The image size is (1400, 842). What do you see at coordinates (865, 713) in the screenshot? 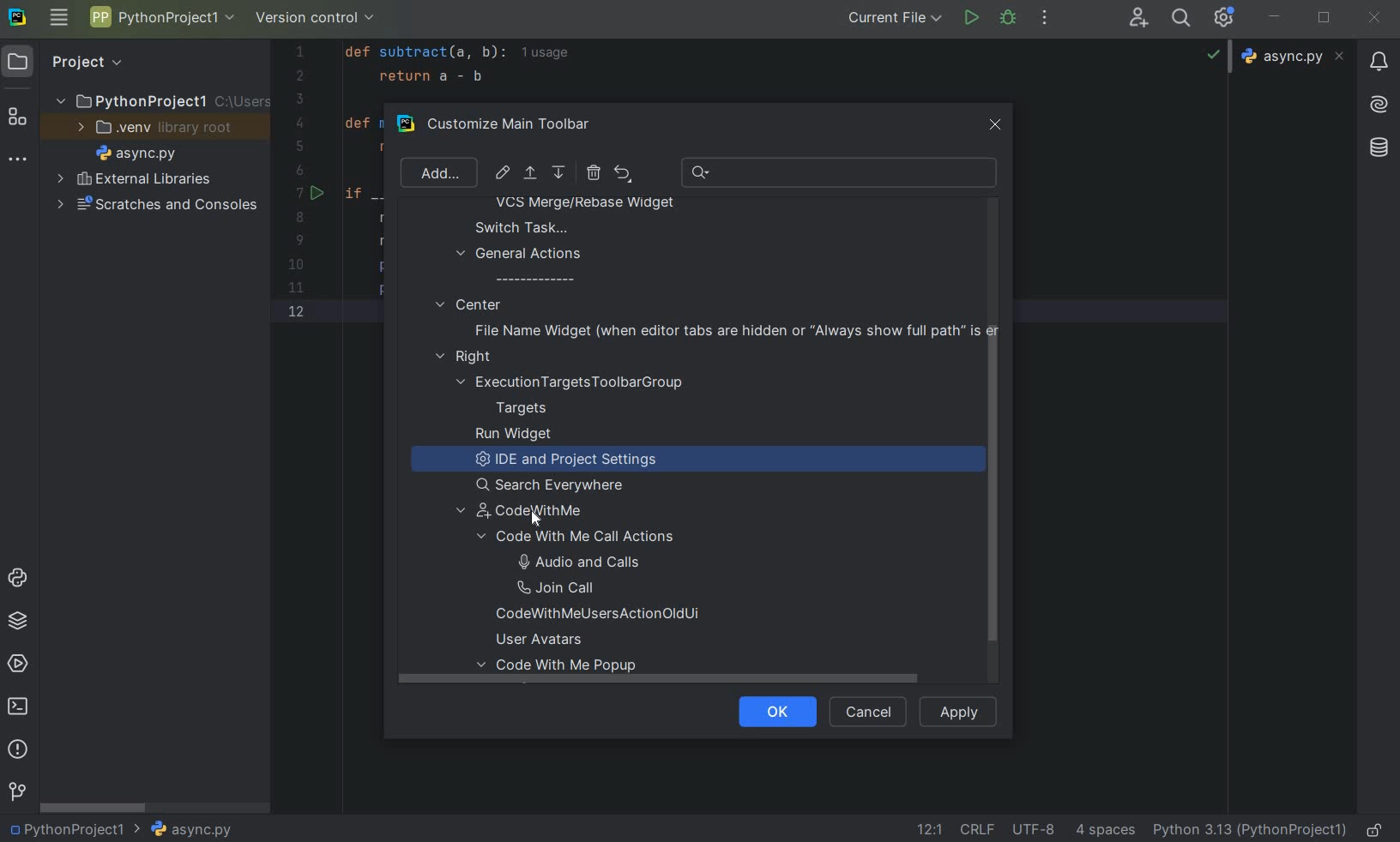
I see `cancel` at bounding box center [865, 713].